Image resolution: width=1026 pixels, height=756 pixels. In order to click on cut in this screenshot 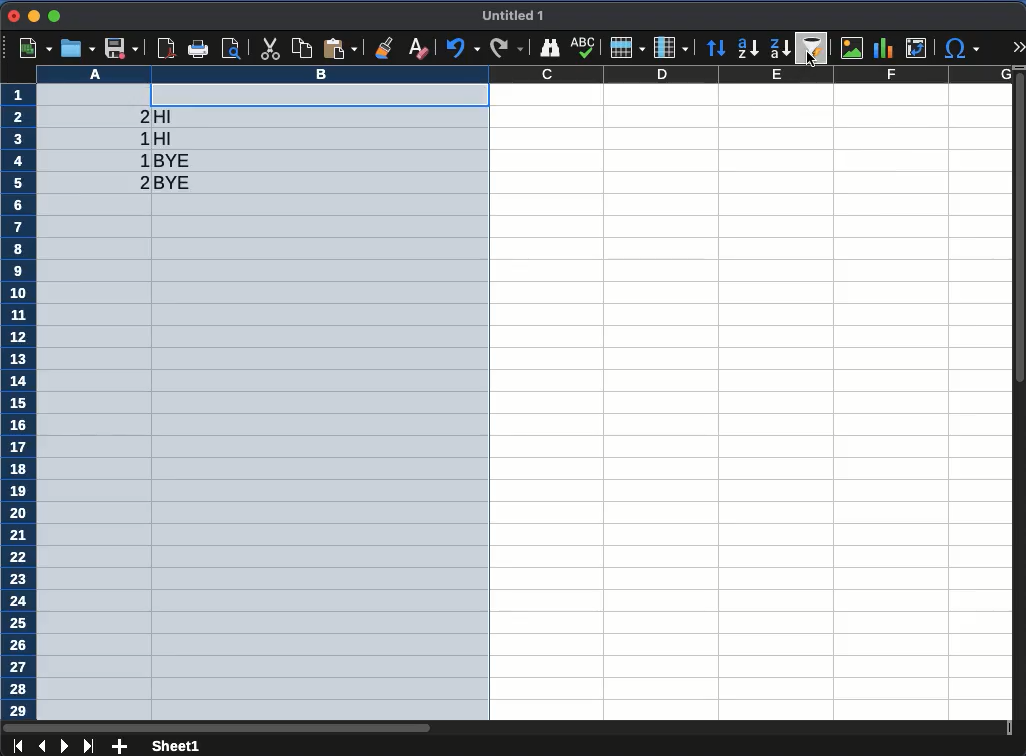, I will do `click(268, 49)`.